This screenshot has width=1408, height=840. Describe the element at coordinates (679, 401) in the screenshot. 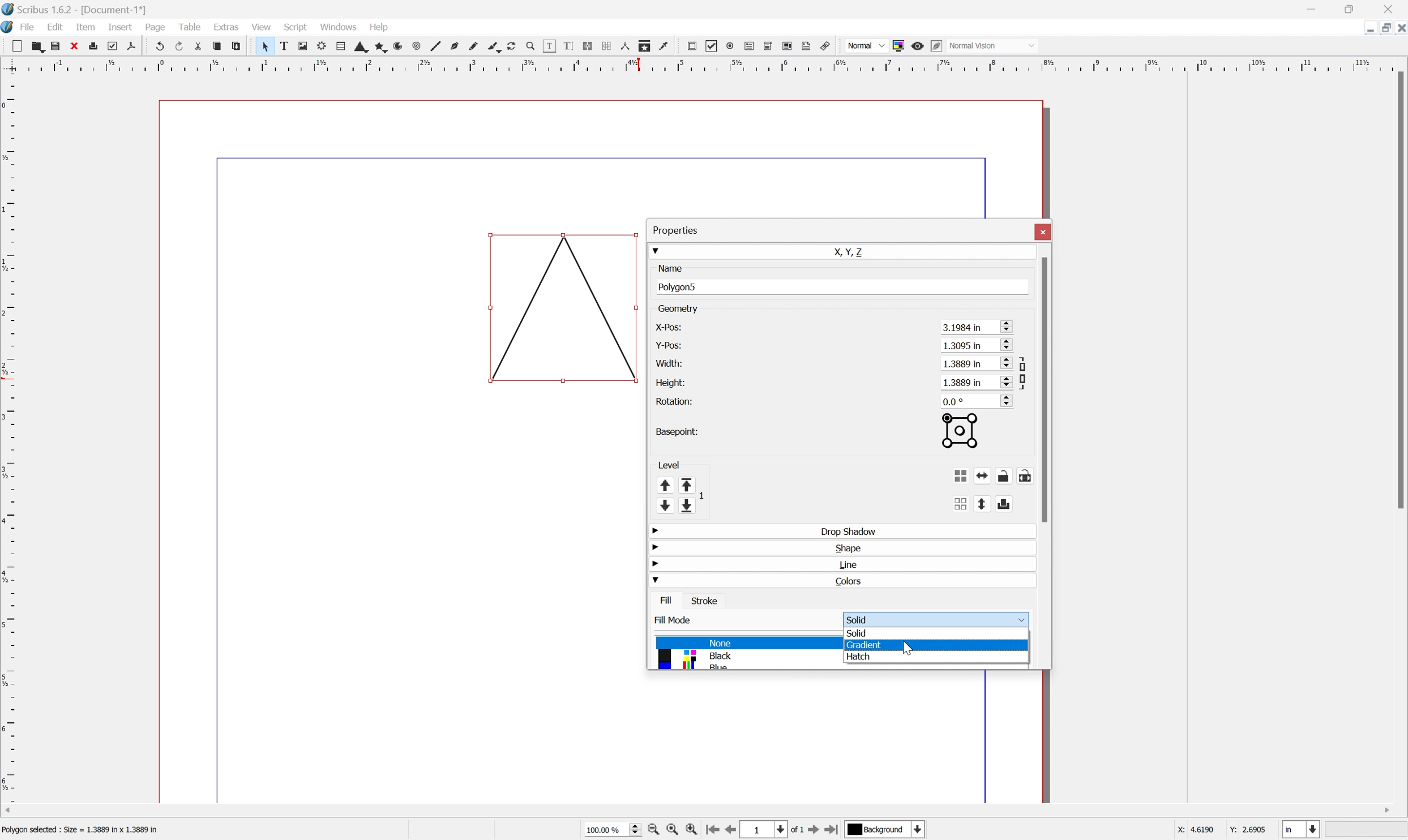

I see `Rotation:` at that location.